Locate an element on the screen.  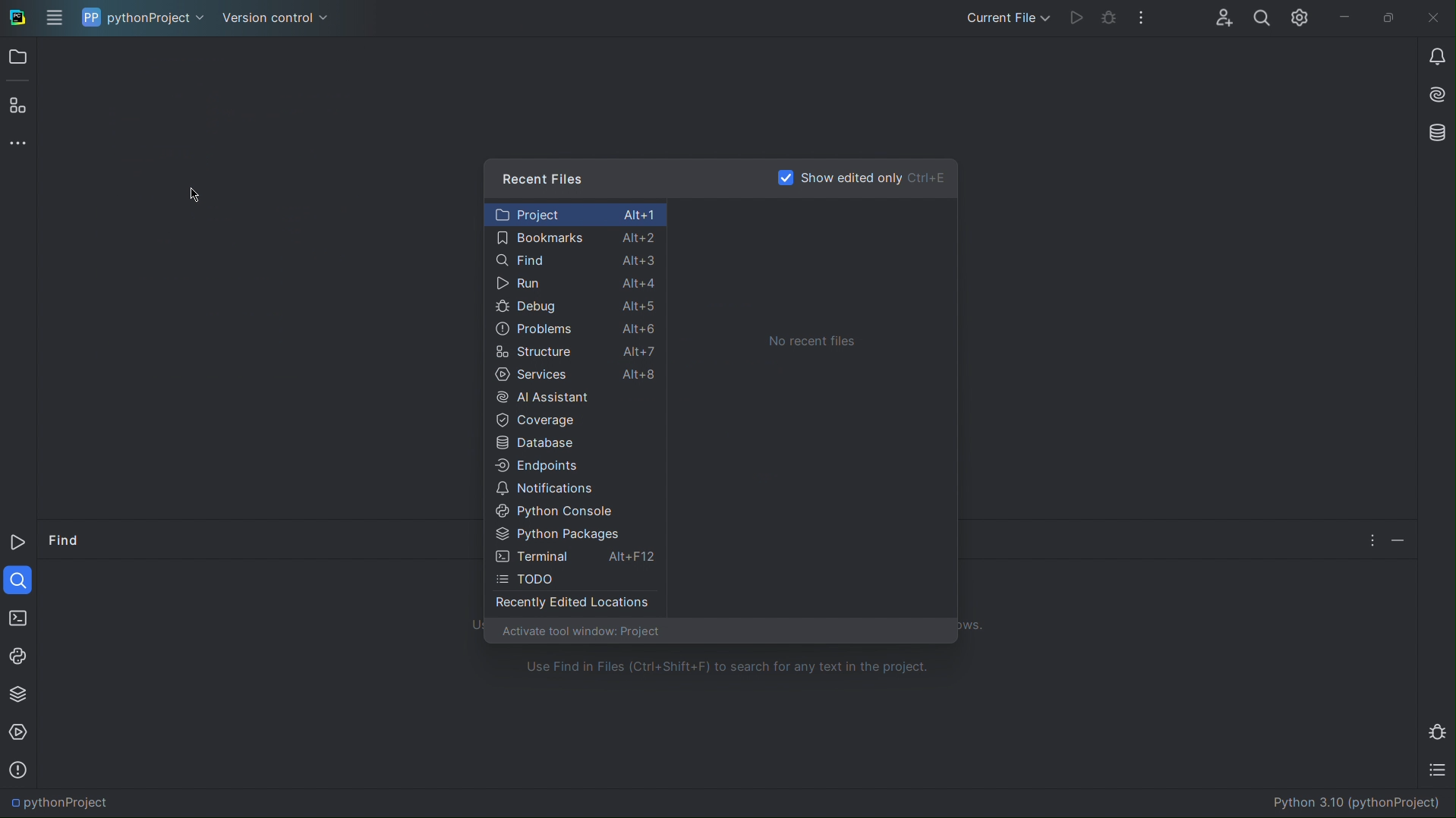
AI Assistant is located at coordinates (1434, 96).